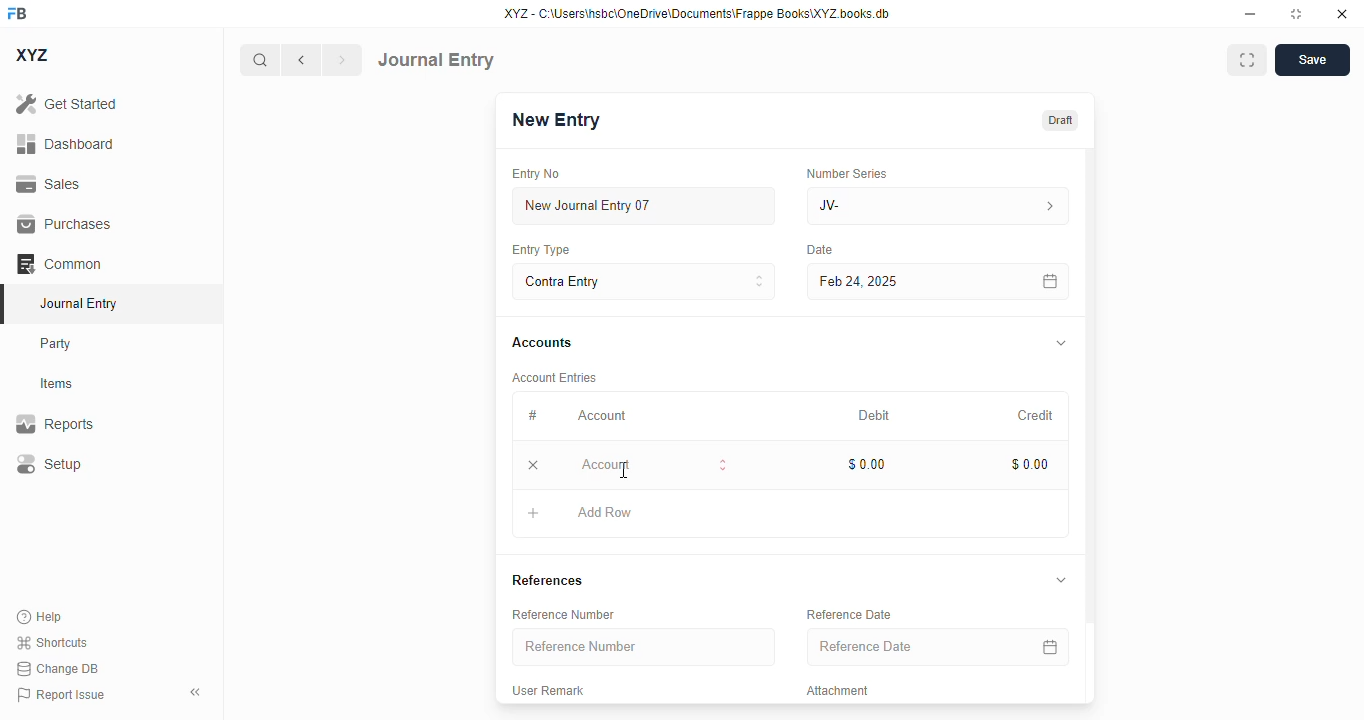 The image size is (1364, 720). Describe the element at coordinates (868, 464) in the screenshot. I see `$0.00` at that location.